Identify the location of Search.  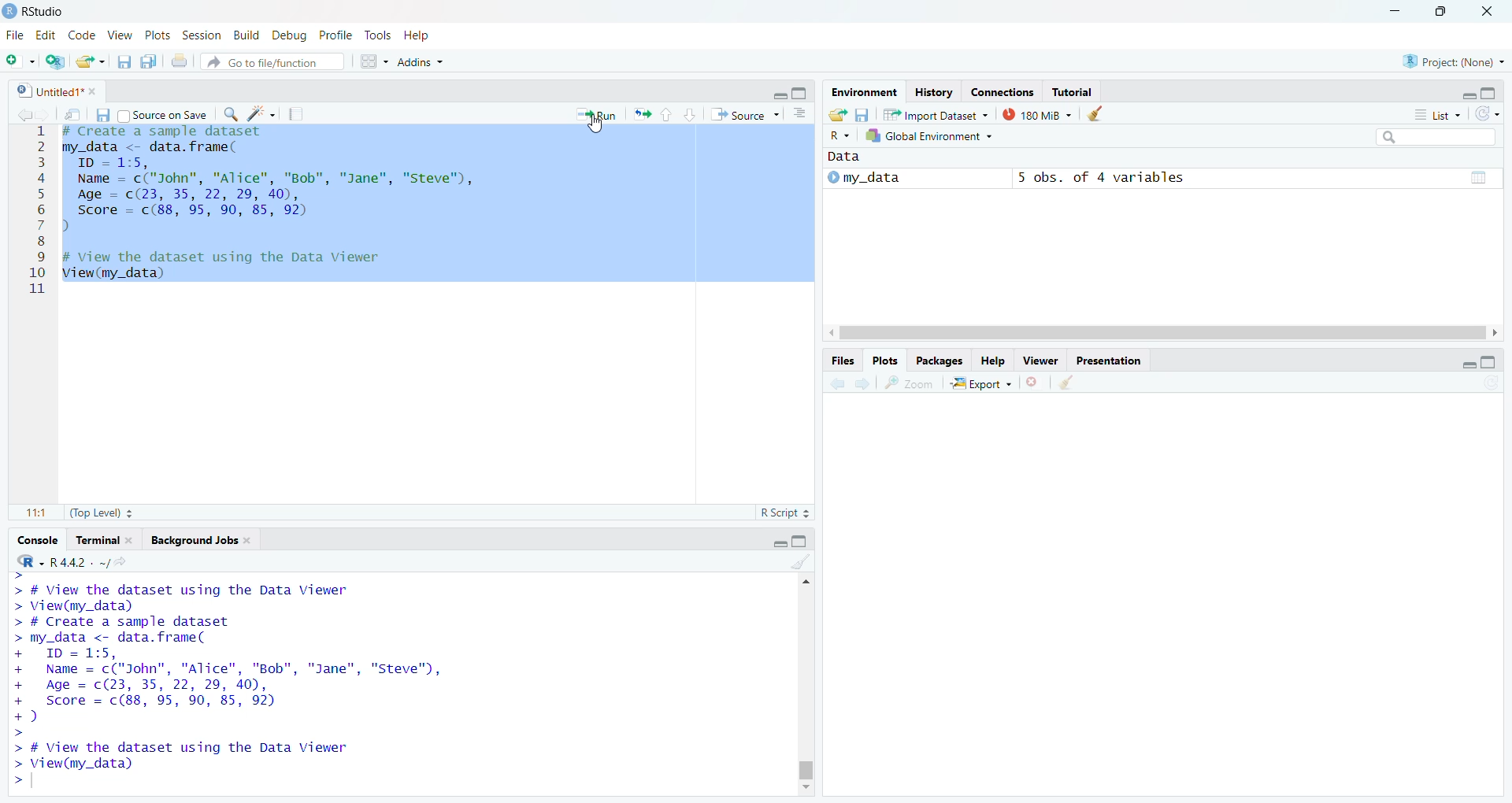
(1437, 136).